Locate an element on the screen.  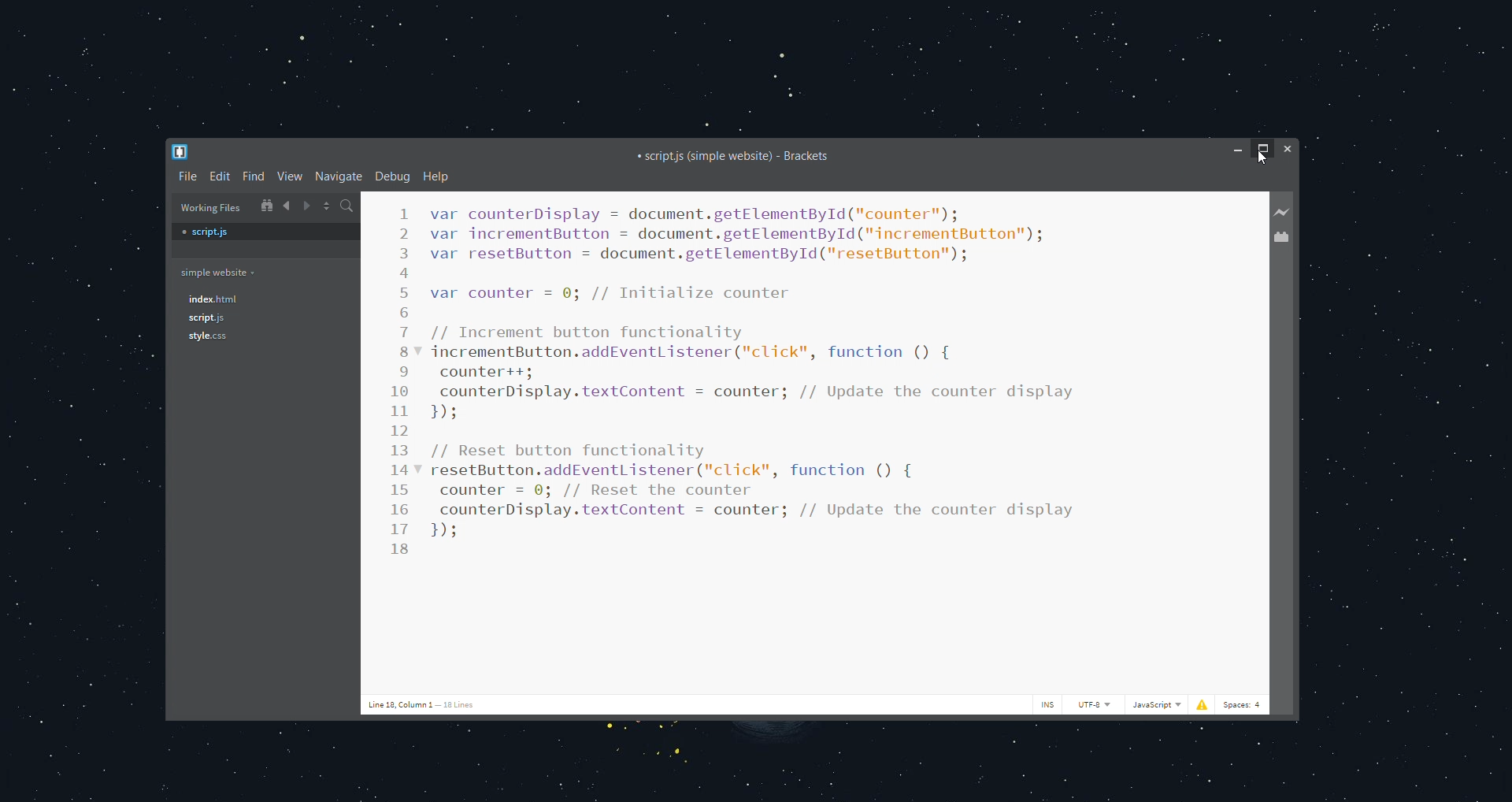
Line 18, Column 1 - 18 Lines is located at coordinates (424, 704).